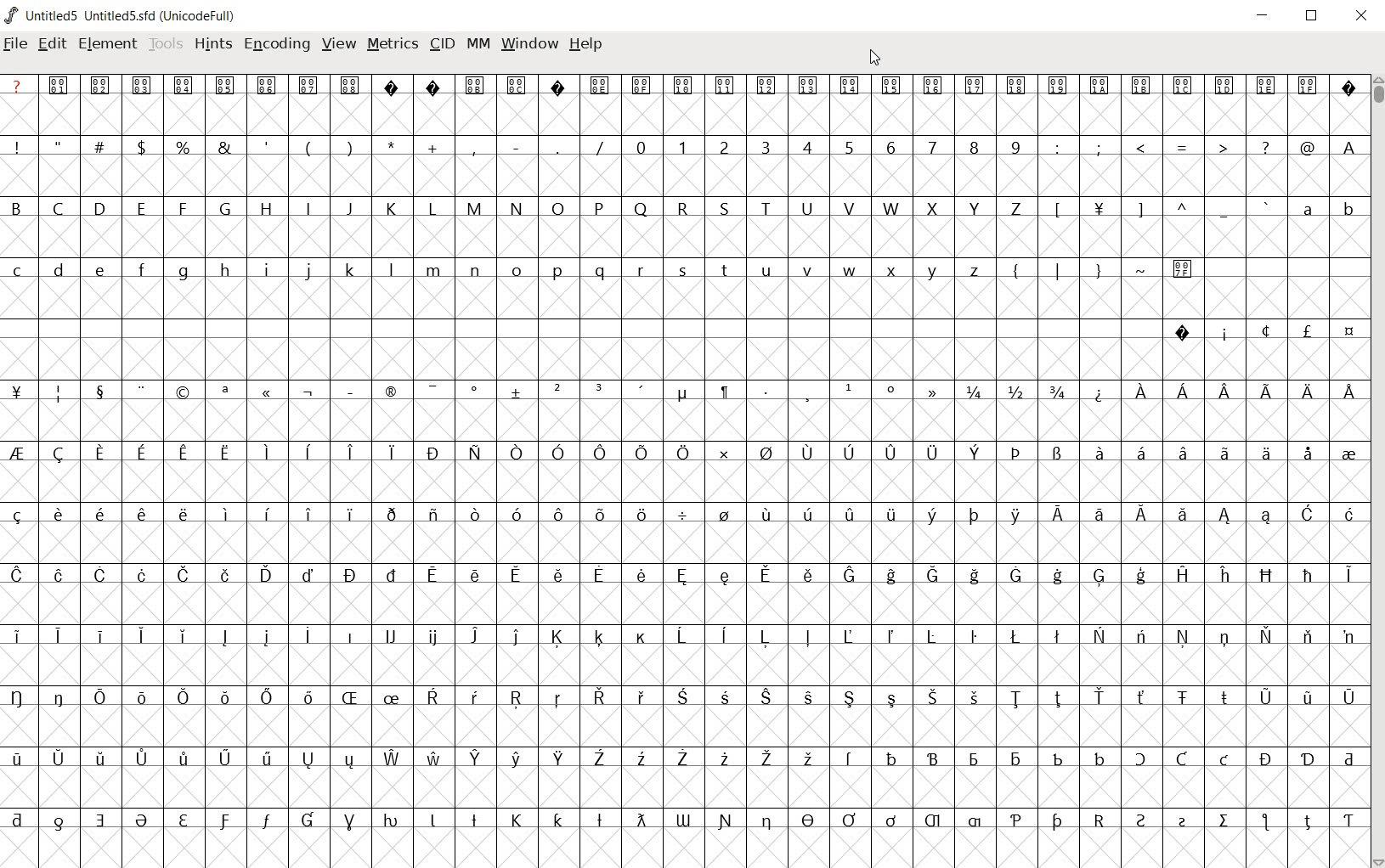 Image resolution: width=1385 pixels, height=868 pixels. Describe the element at coordinates (1181, 210) in the screenshot. I see `^` at that location.